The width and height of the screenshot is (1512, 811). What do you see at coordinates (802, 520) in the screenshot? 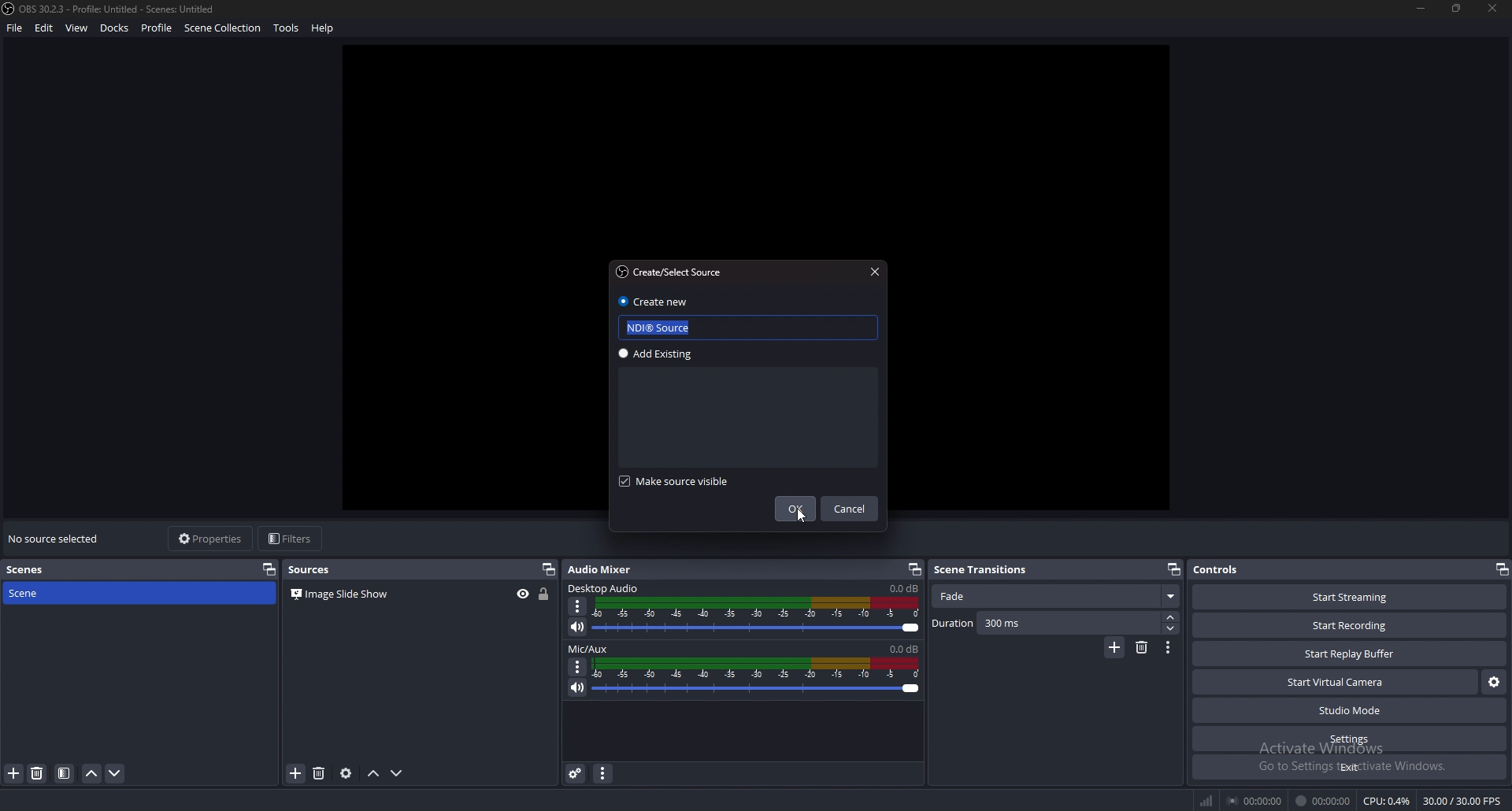
I see `Cursor` at bounding box center [802, 520].